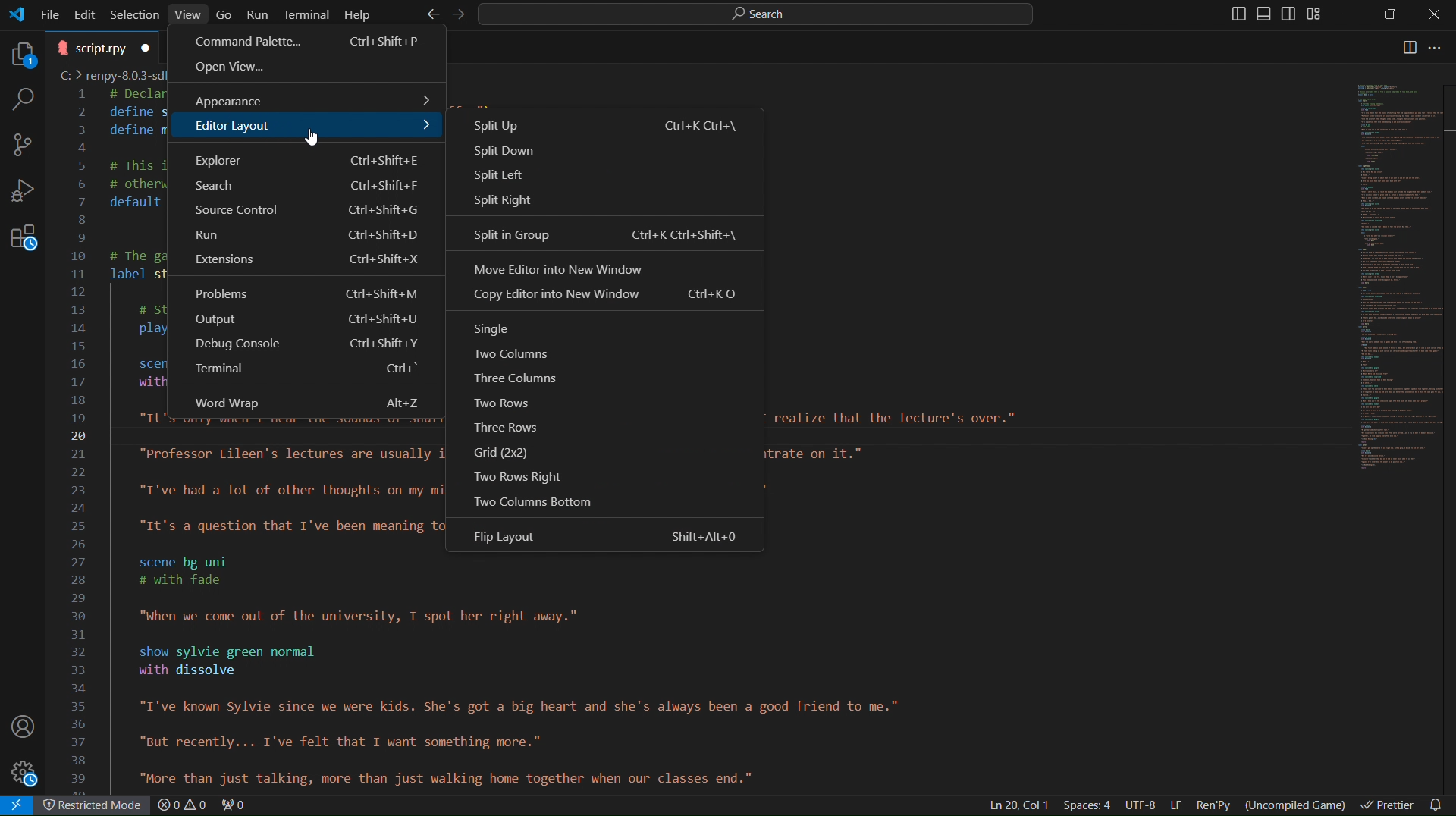 This screenshot has width=1456, height=816. Describe the element at coordinates (1410, 49) in the screenshot. I see `Split Editor` at that location.